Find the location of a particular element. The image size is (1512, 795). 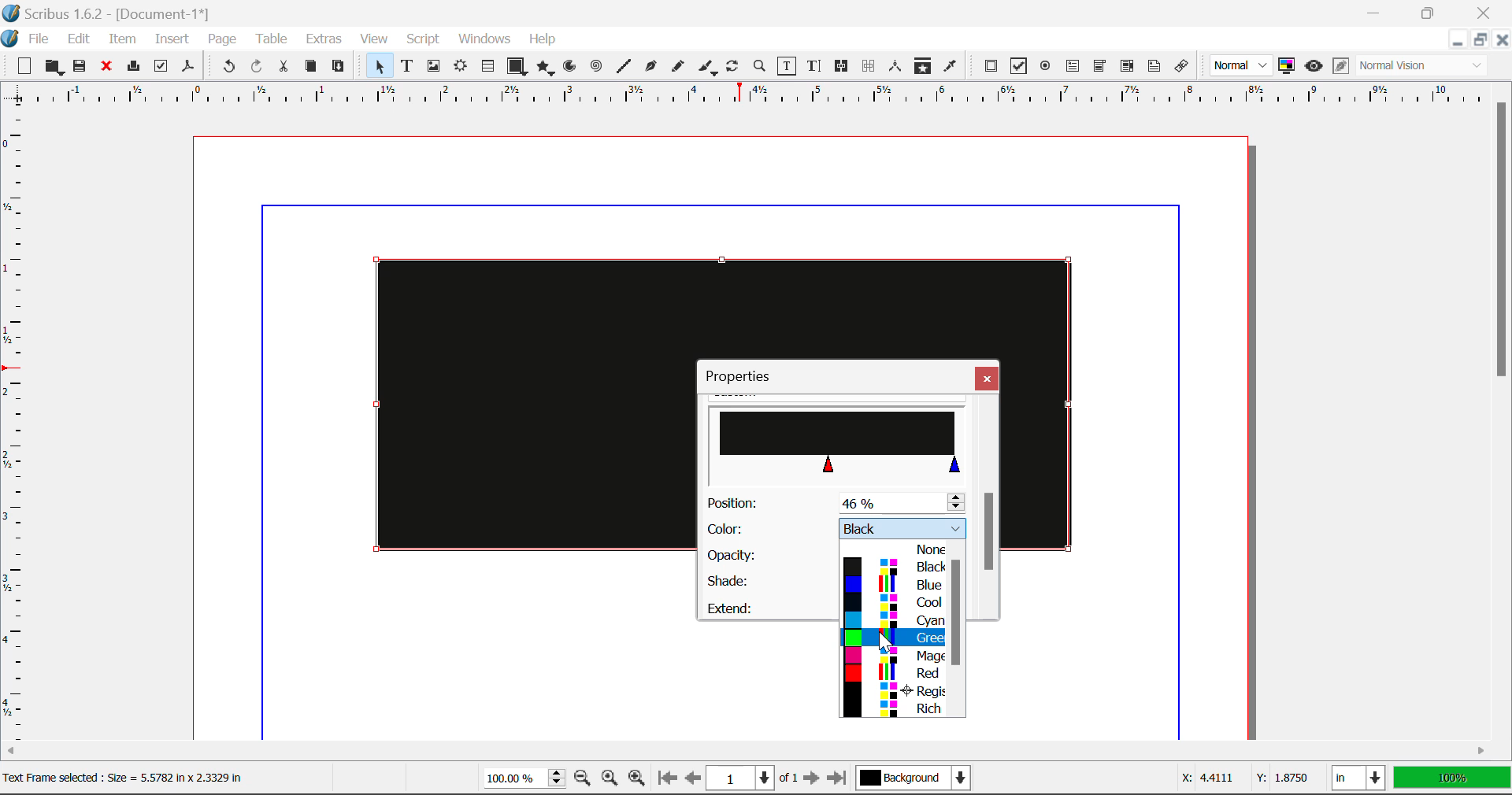

Previous Page is located at coordinates (693, 780).